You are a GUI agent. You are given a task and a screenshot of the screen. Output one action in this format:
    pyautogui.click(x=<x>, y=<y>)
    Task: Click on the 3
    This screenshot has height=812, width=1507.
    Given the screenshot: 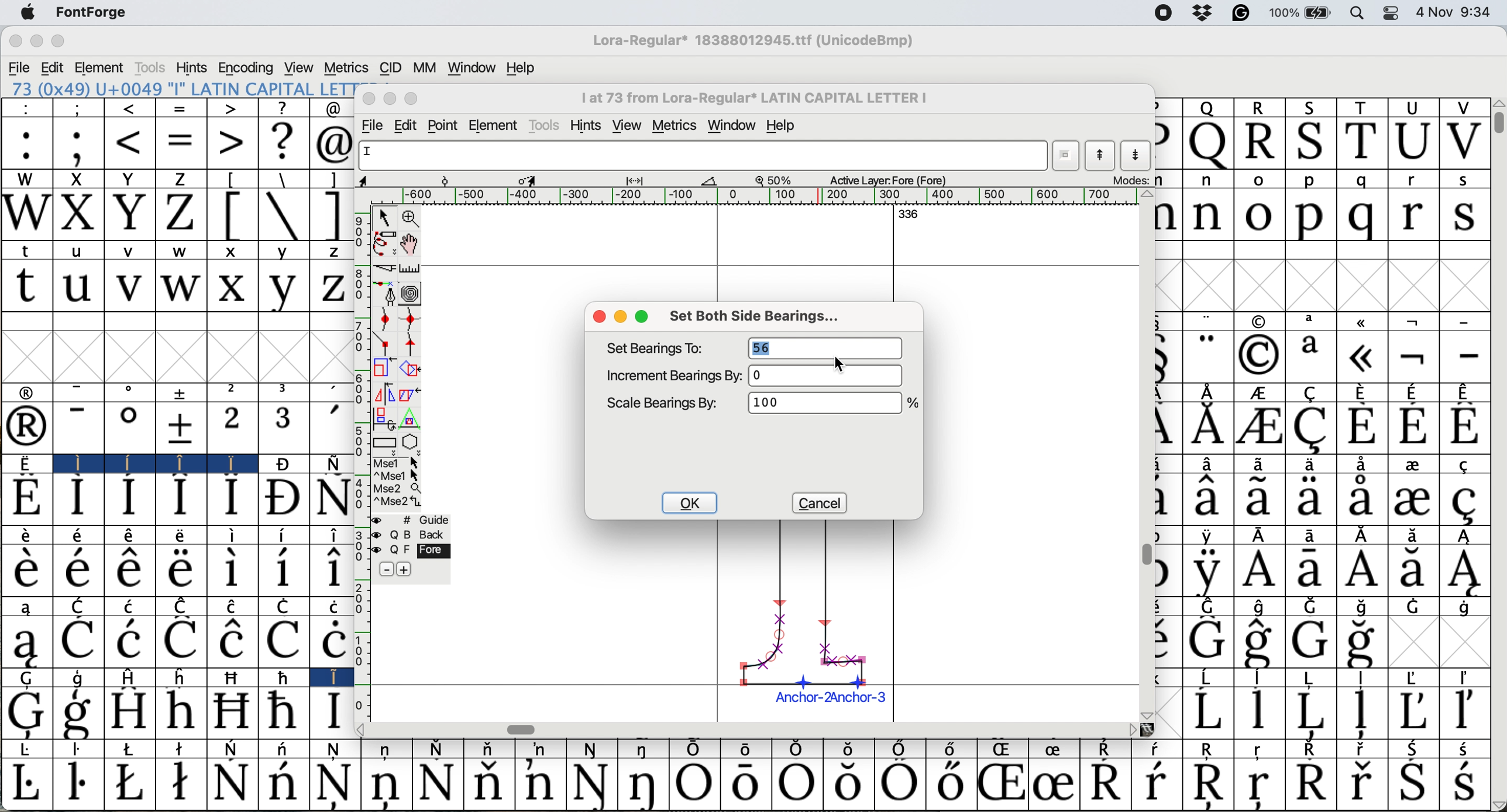 What is the action you would take?
    pyautogui.click(x=285, y=391)
    